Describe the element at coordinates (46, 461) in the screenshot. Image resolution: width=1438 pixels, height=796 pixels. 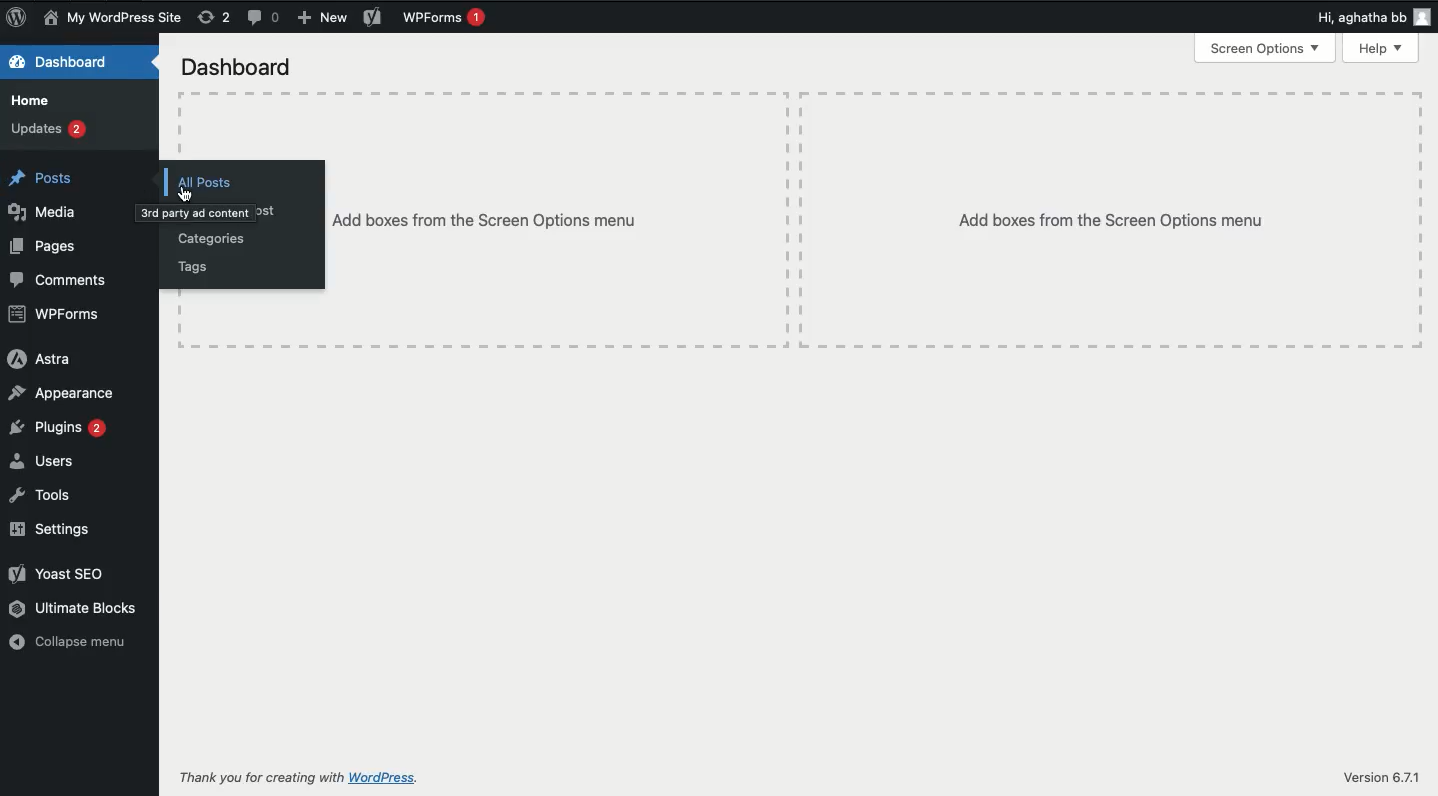
I see `Users` at that location.